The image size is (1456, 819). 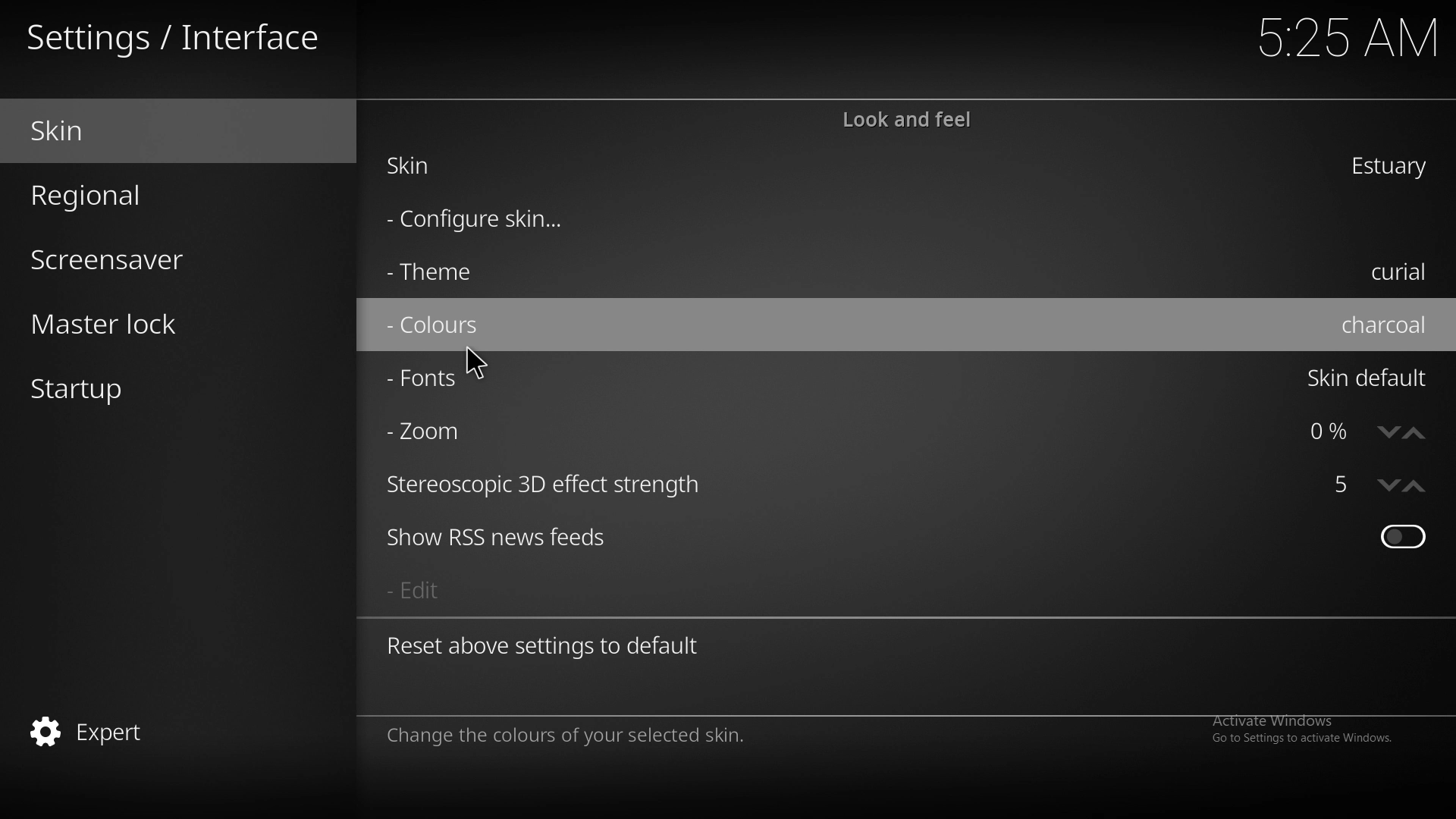 I want to click on theme, so click(x=549, y=273).